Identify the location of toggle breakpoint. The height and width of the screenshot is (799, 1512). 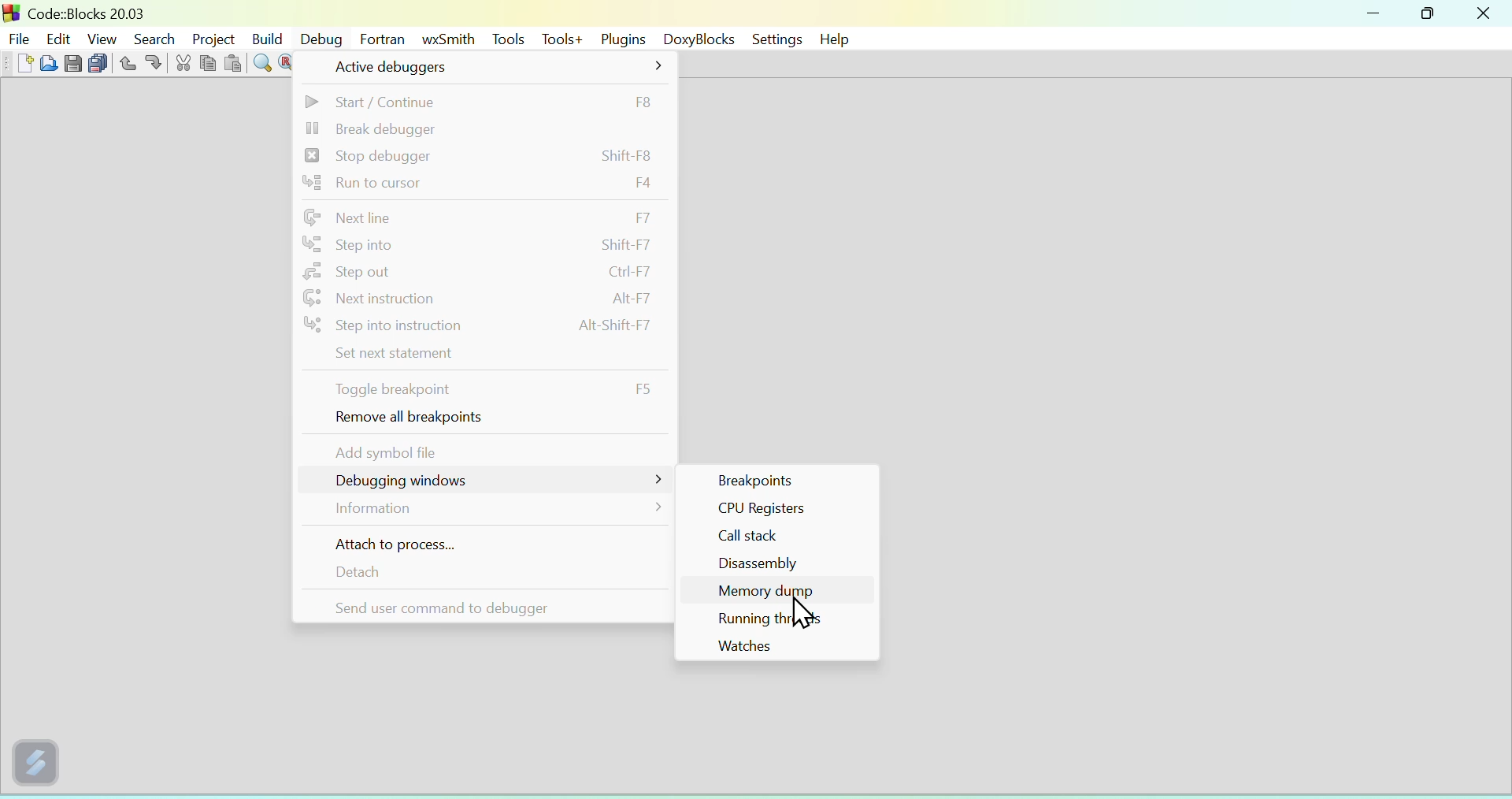
(480, 389).